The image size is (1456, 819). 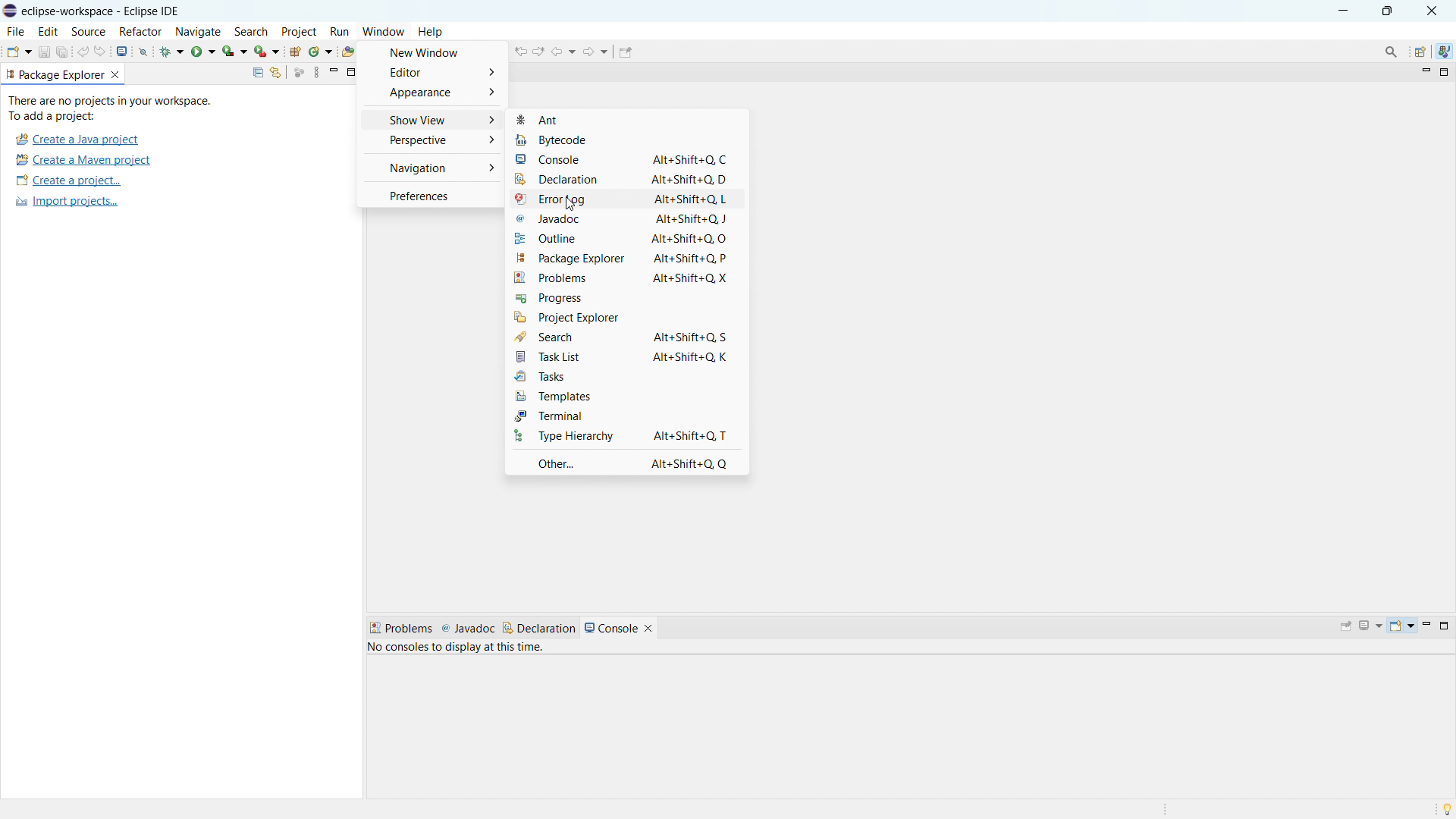 I want to click on minimize, so click(x=333, y=71).